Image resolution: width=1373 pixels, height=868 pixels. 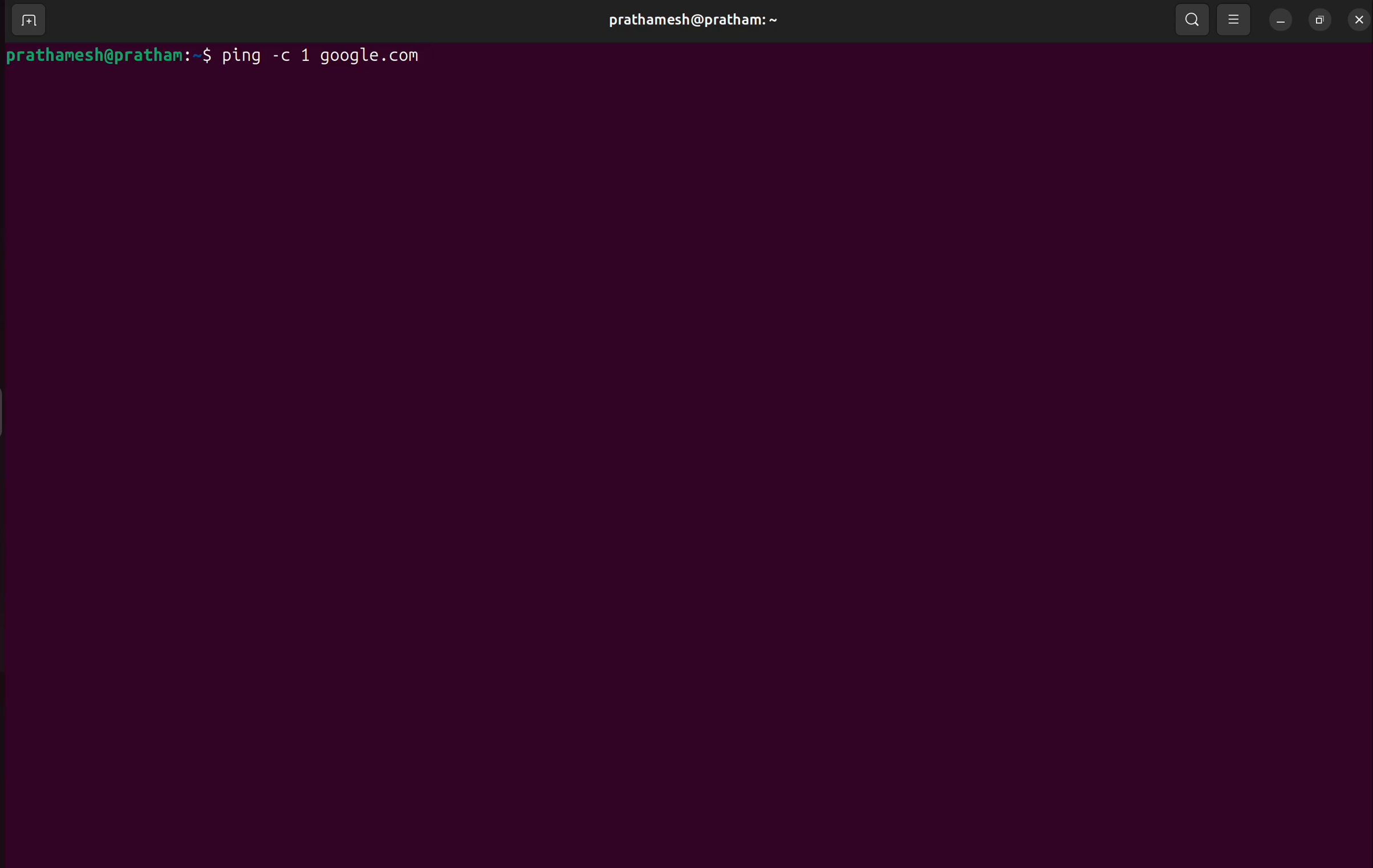 What do you see at coordinates (1237, 18) in the screenshot?
I see `view options` at bounding box center [1237, 18].